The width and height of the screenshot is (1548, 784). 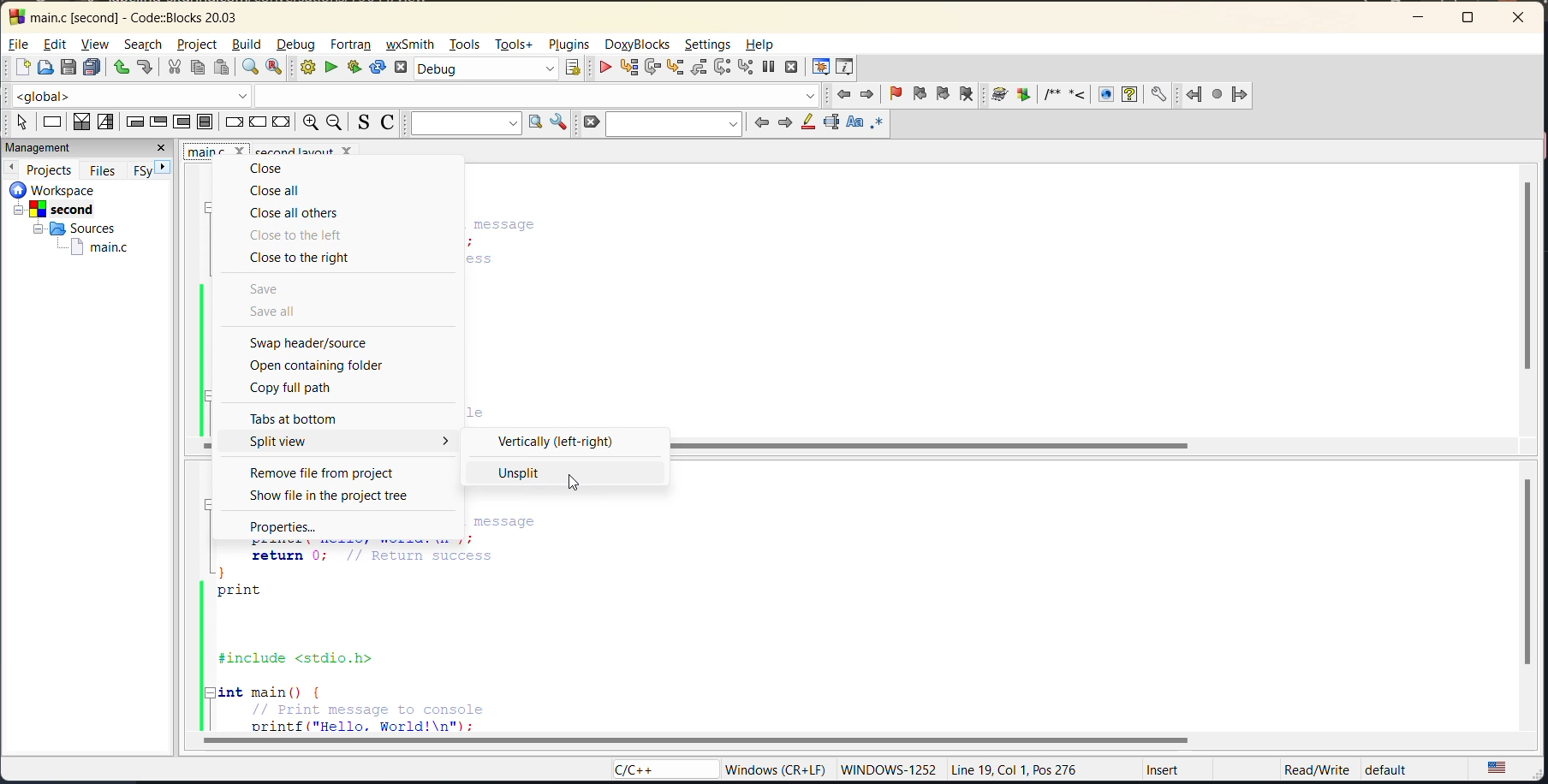 What do you see at coordinates (1421, 19) in the screenshot?
I see `minimize` at bounding box center [1421, 19].